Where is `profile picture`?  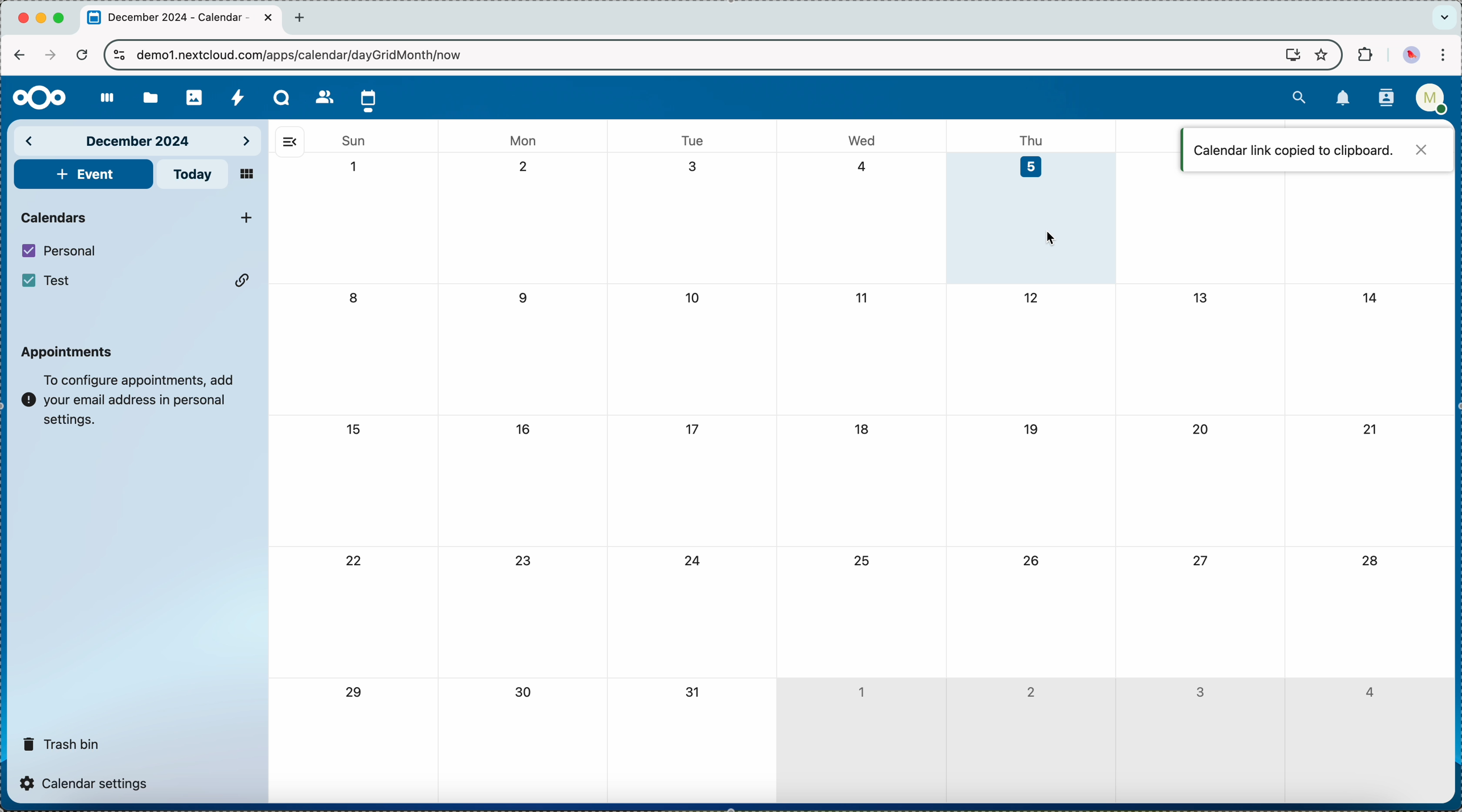
profile picture is located at coordinates (1411, 54).